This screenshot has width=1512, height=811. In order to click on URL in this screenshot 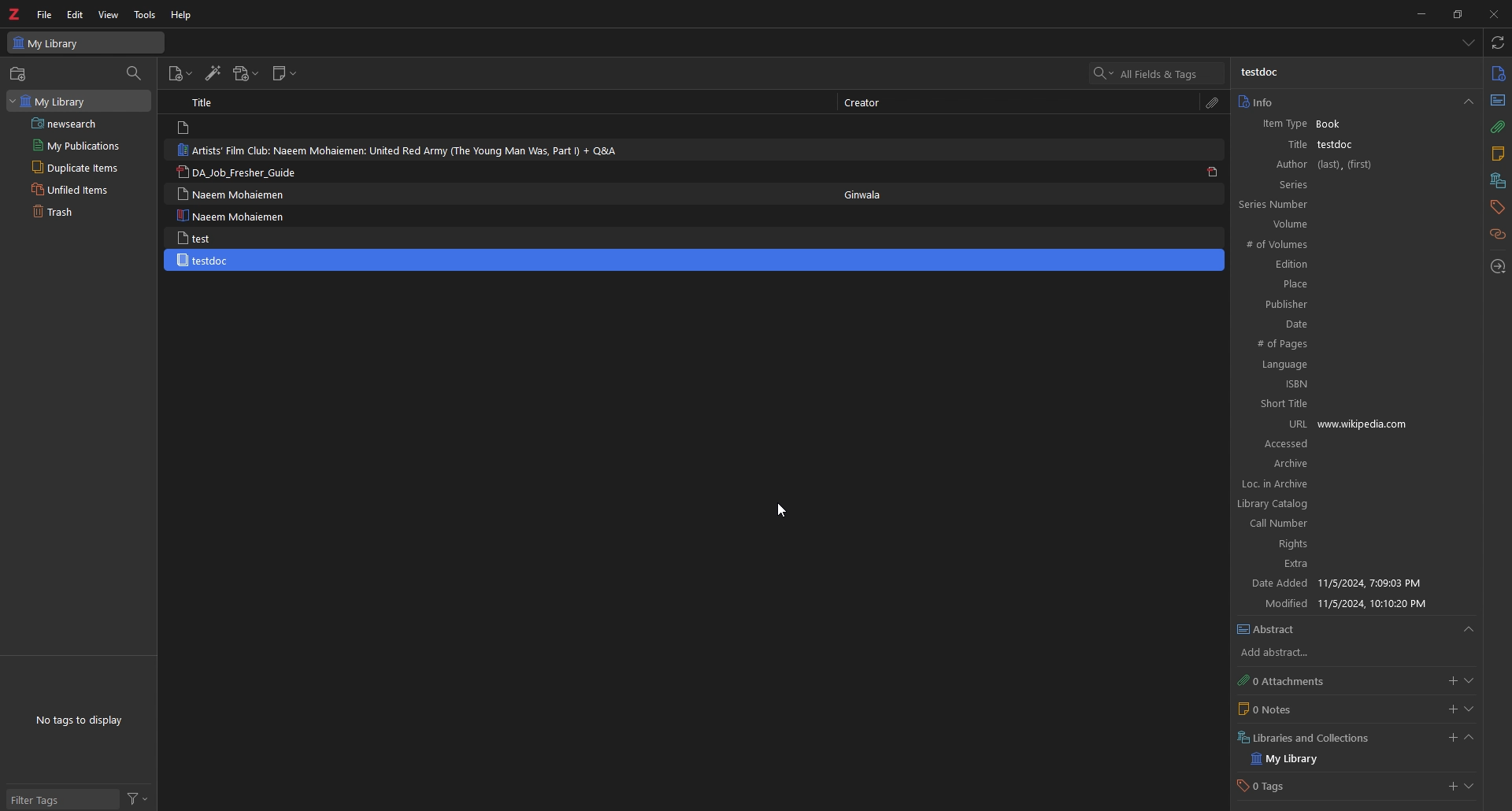, I will do `click(1293, 423)`.